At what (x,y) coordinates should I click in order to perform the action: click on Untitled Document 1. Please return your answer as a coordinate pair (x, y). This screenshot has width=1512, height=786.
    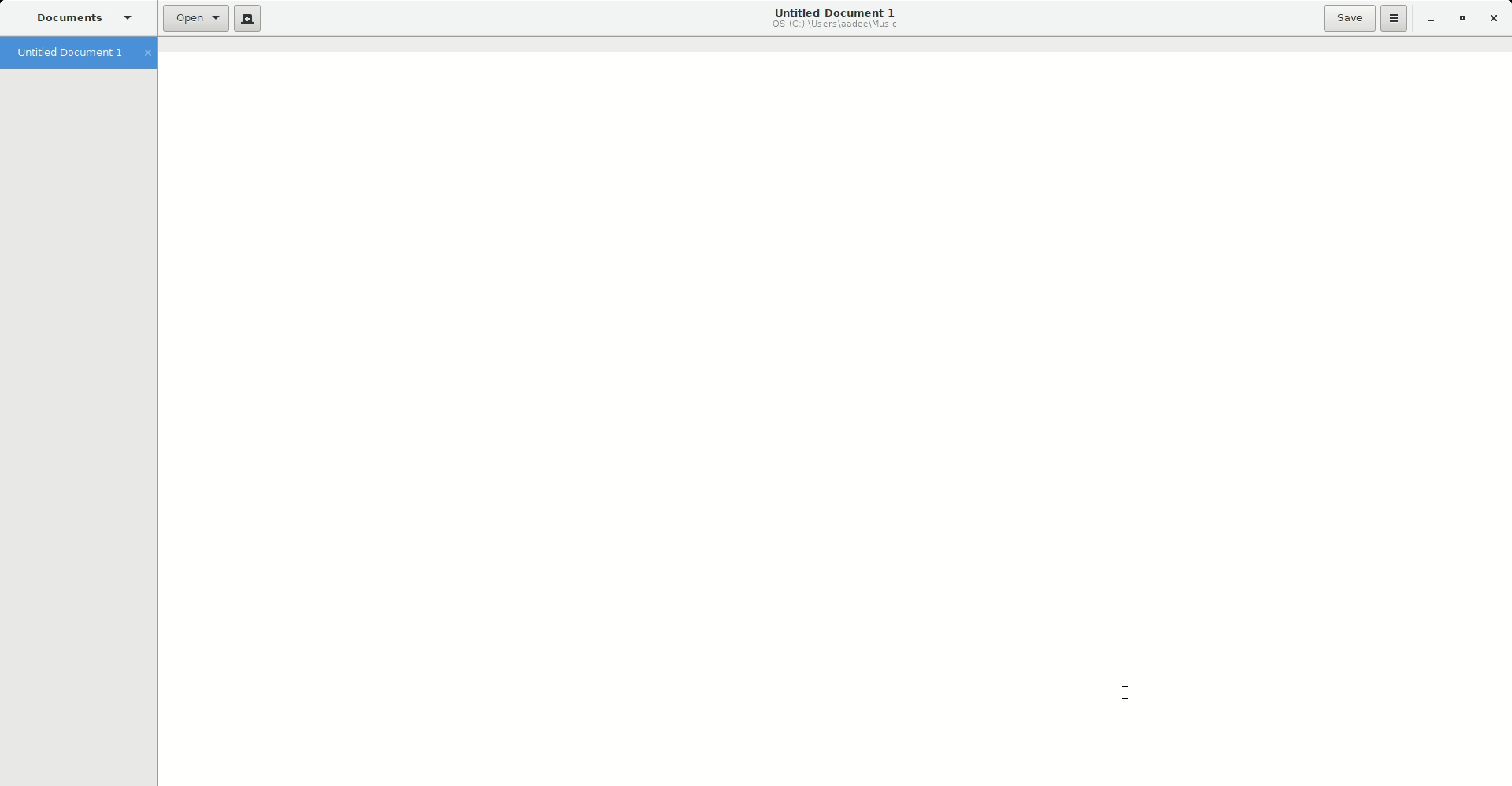
    Looking at the image, I should click on (83, 54).